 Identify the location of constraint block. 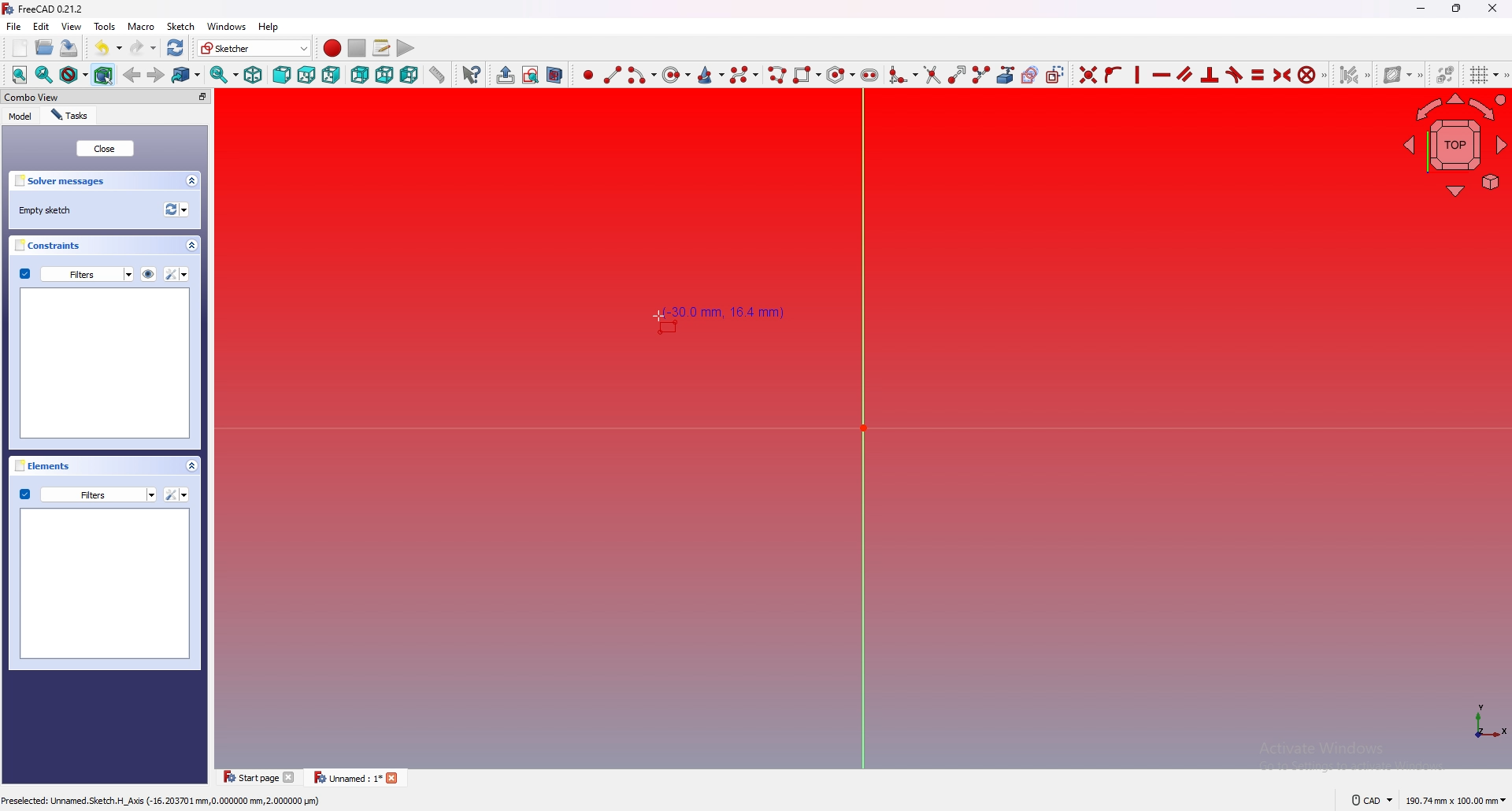
(1307, 74).